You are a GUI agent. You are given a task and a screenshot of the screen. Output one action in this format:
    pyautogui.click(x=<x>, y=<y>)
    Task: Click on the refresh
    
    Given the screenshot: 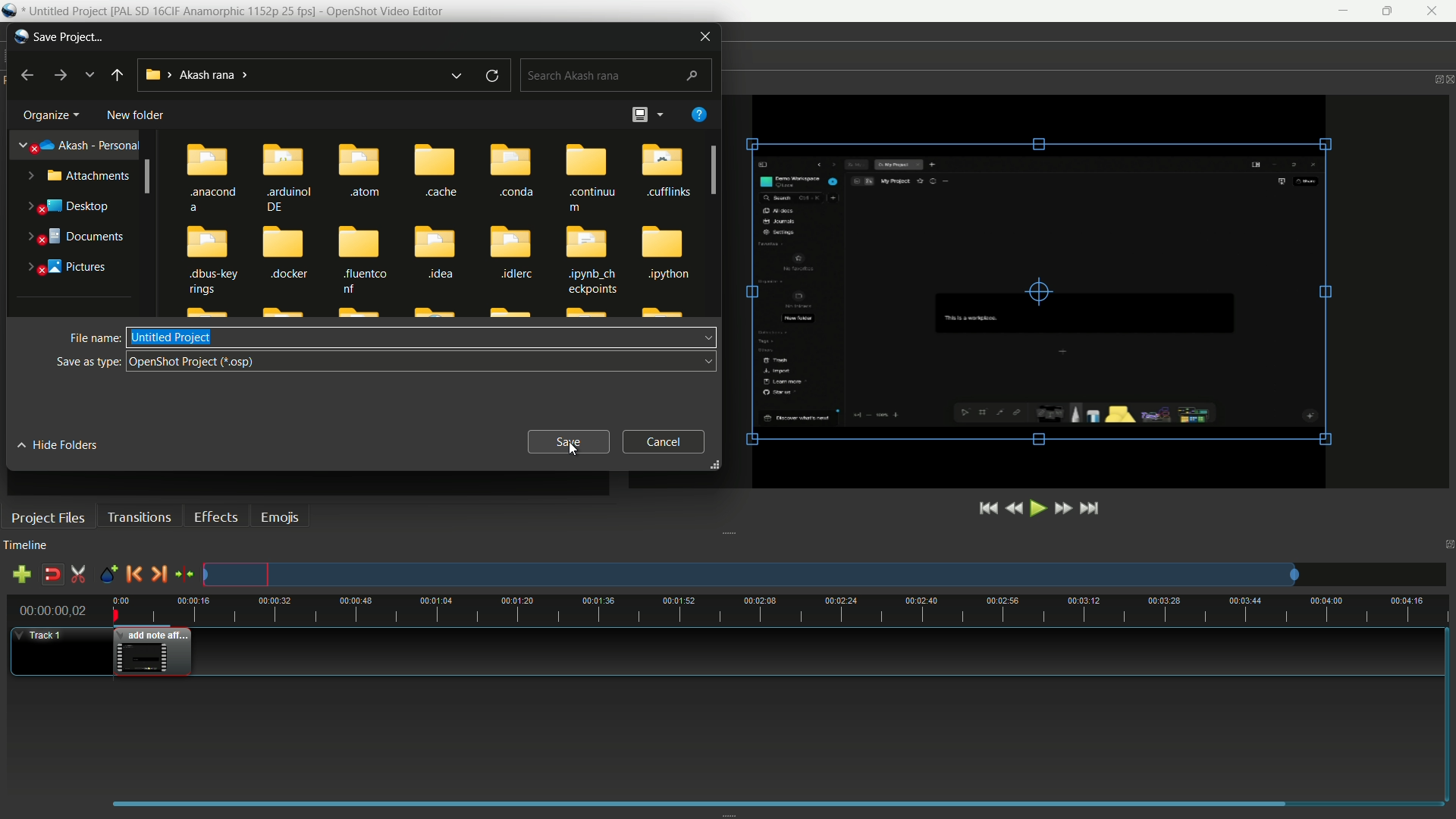 What is the action you would take?
    pyautogui.click(x=492, y=77)
    